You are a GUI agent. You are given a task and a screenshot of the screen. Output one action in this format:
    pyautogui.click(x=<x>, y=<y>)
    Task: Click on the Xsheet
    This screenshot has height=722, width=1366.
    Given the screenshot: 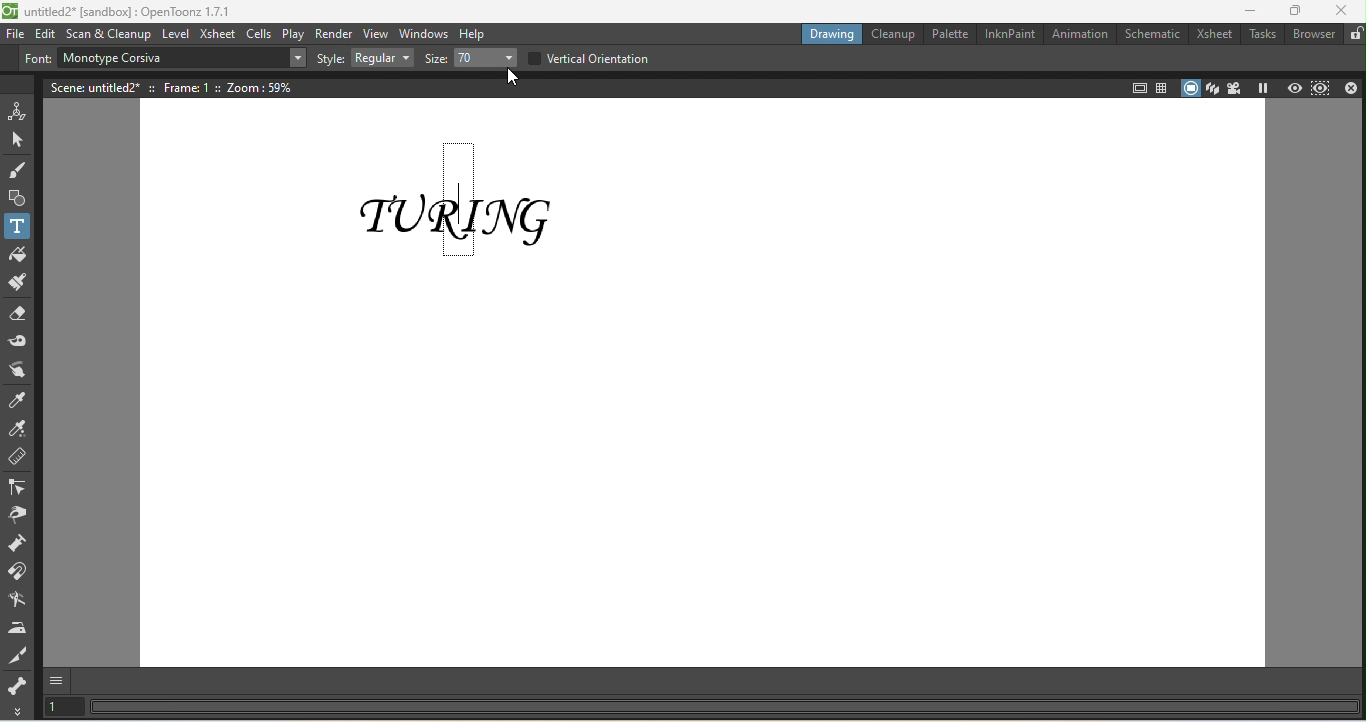 What is the action you would take?
    pyautogui.click(x=218, y=35)
    